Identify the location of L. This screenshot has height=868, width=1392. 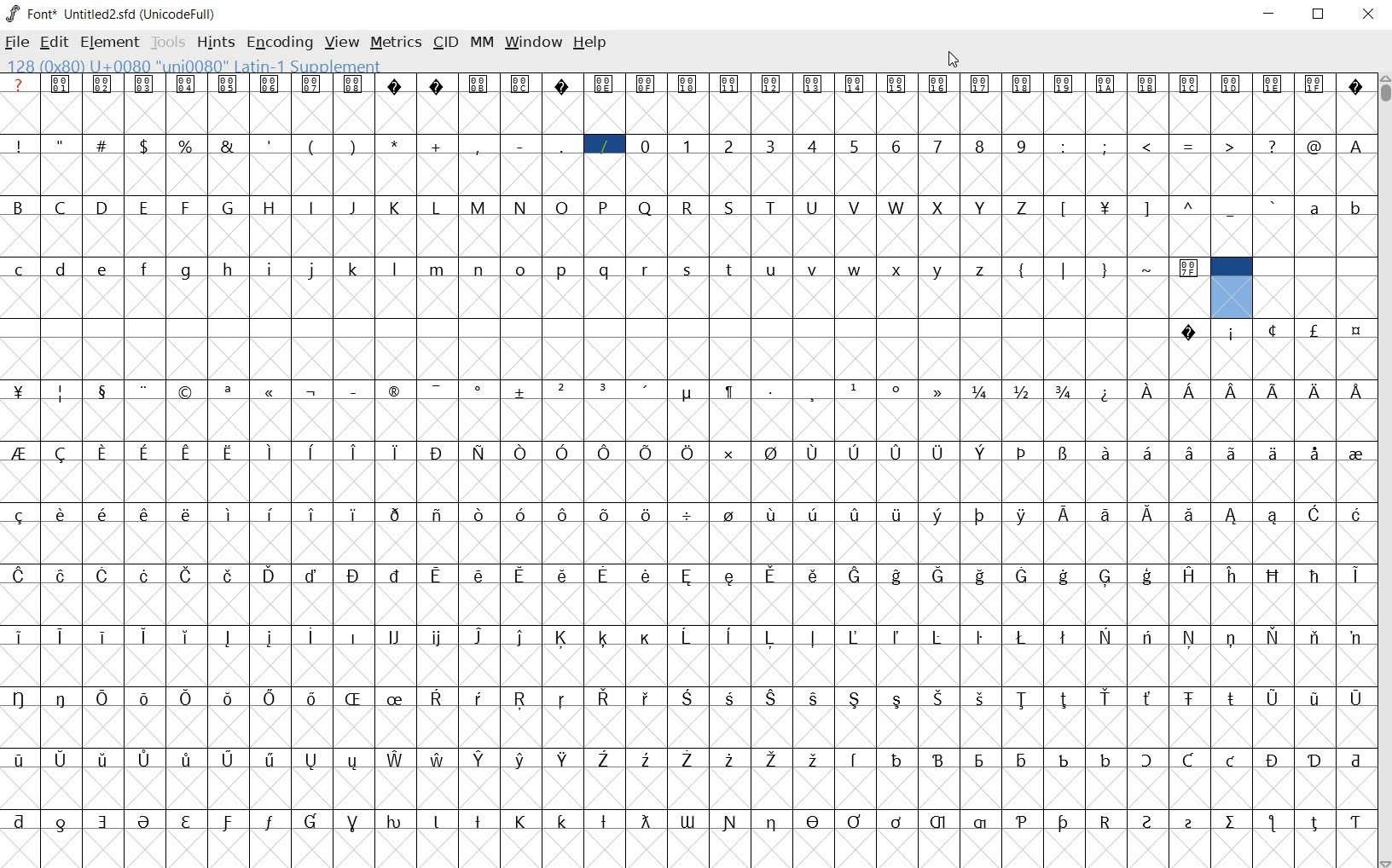
(439, 205).